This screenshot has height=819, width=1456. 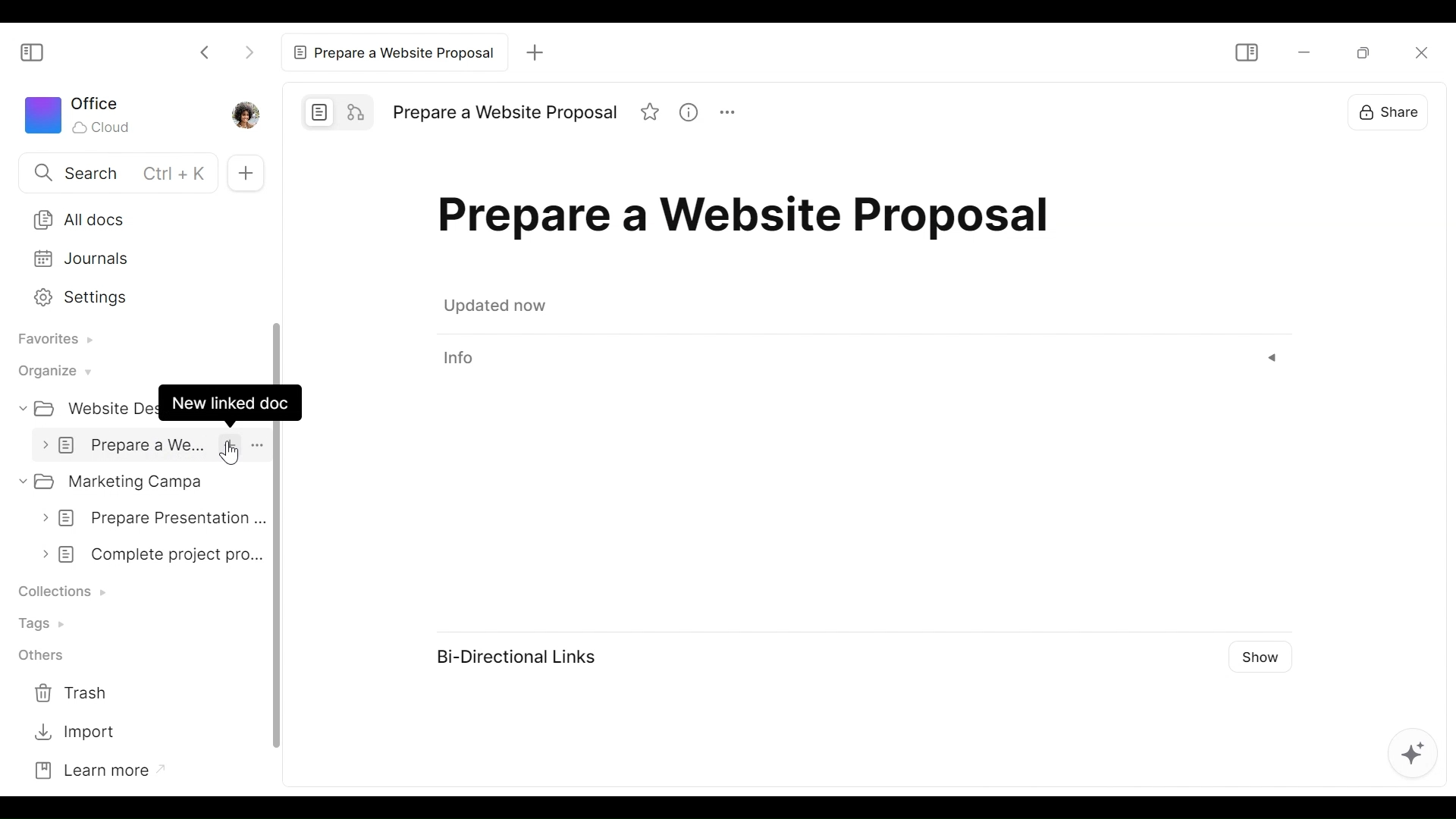 What do you see at coordinates (494, 306) in the screenshot?
I see `Updated now` at bounding box center [494, 306].